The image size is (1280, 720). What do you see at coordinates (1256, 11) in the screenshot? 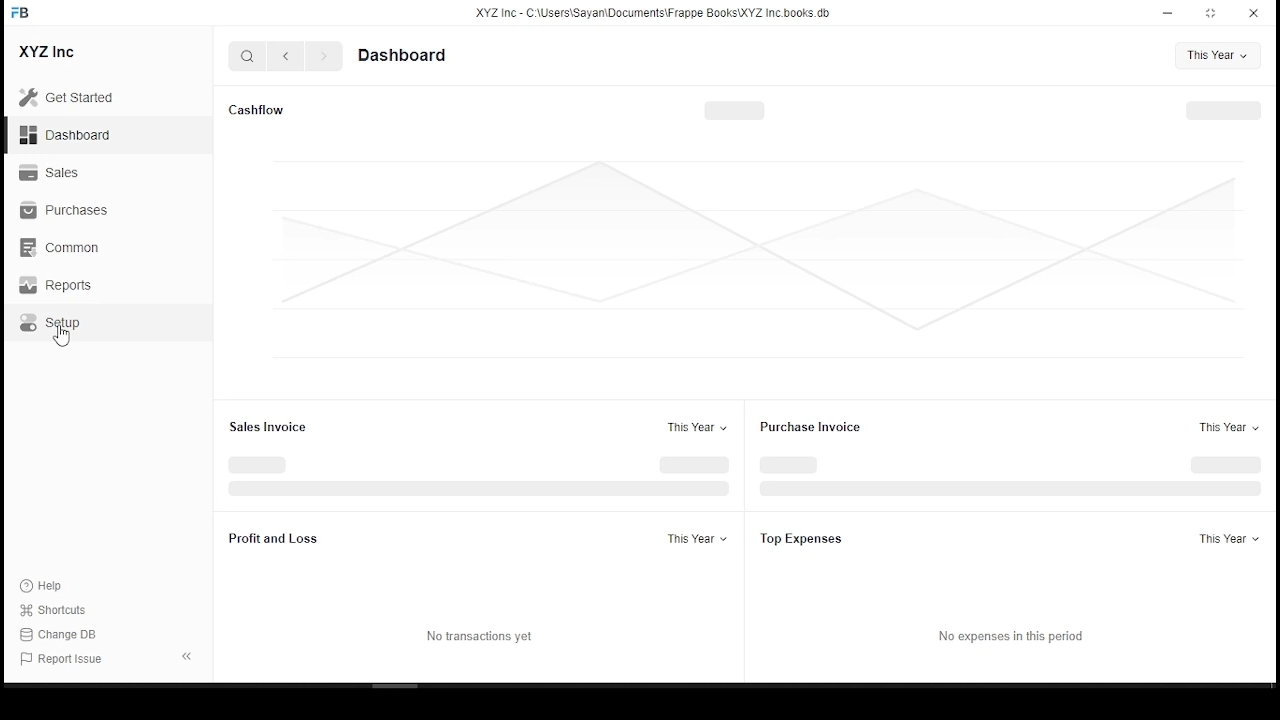
I see `close window` at bounding box center [1256, 11].